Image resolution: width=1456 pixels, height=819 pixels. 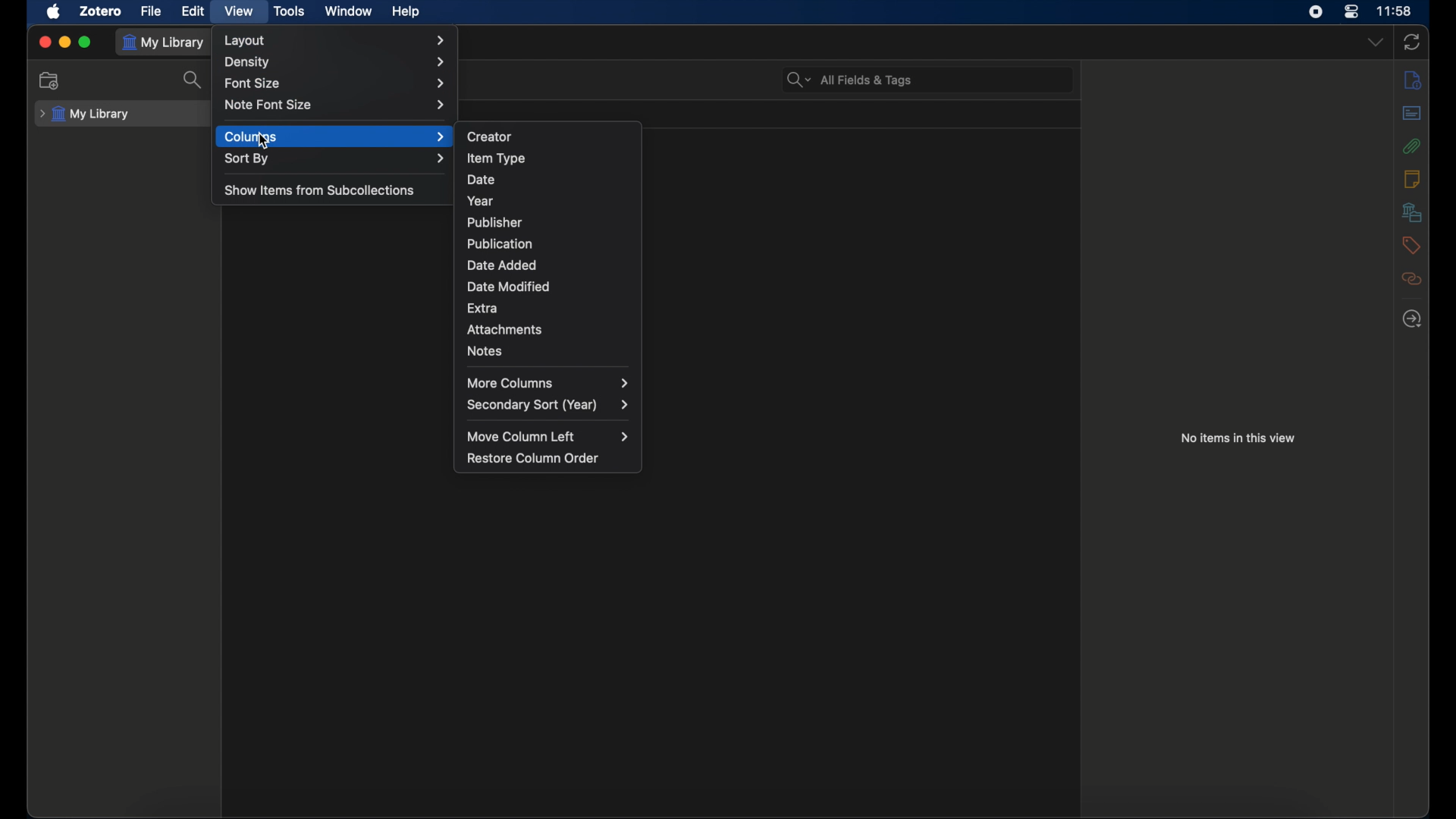 What do you see at coordinates (1411, 244) in the screenshot?
I see `tags` at bounding box center [1411, 244].